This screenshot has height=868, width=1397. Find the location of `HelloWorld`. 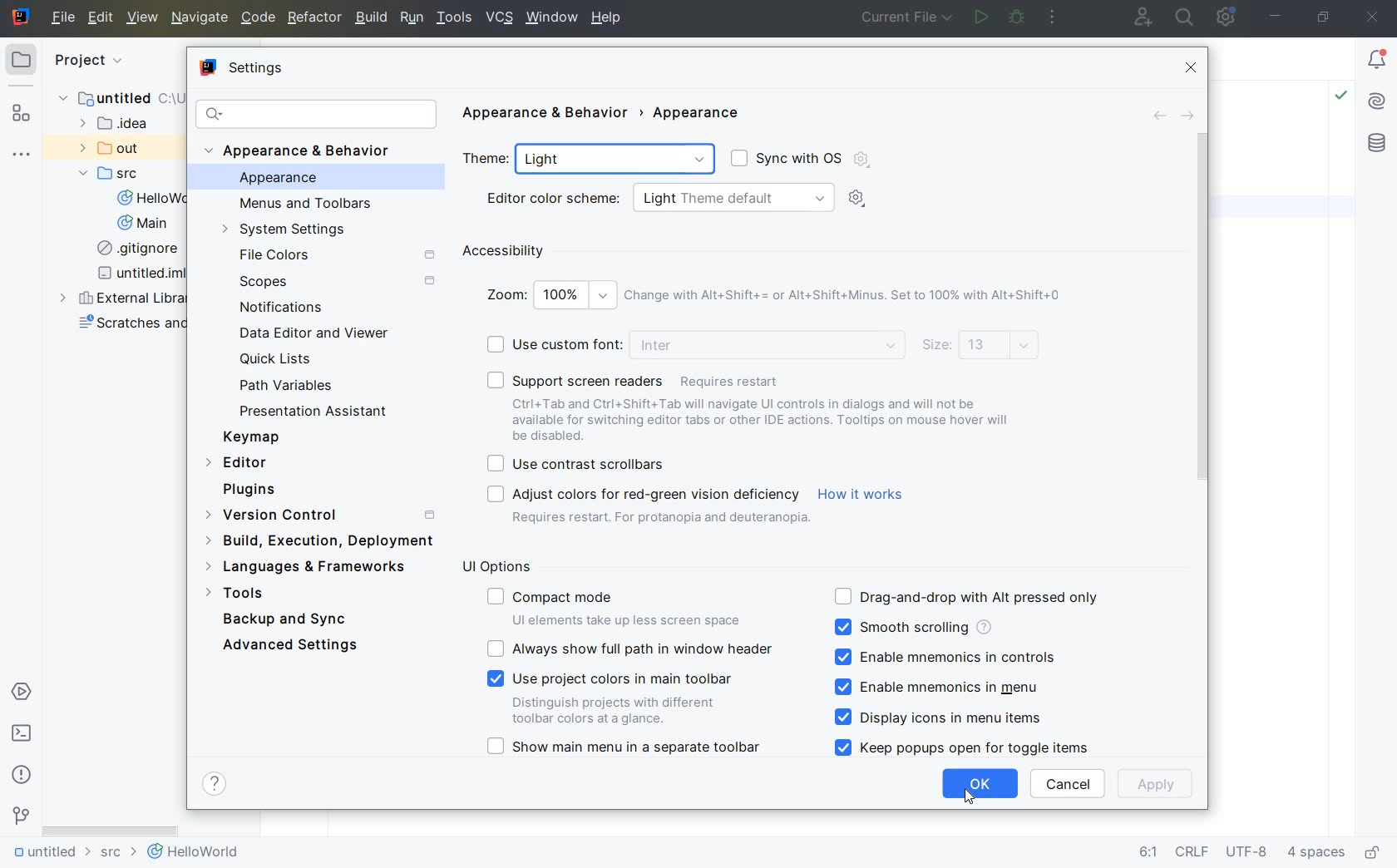

HelloWorld is located at coordinates (195, 853).